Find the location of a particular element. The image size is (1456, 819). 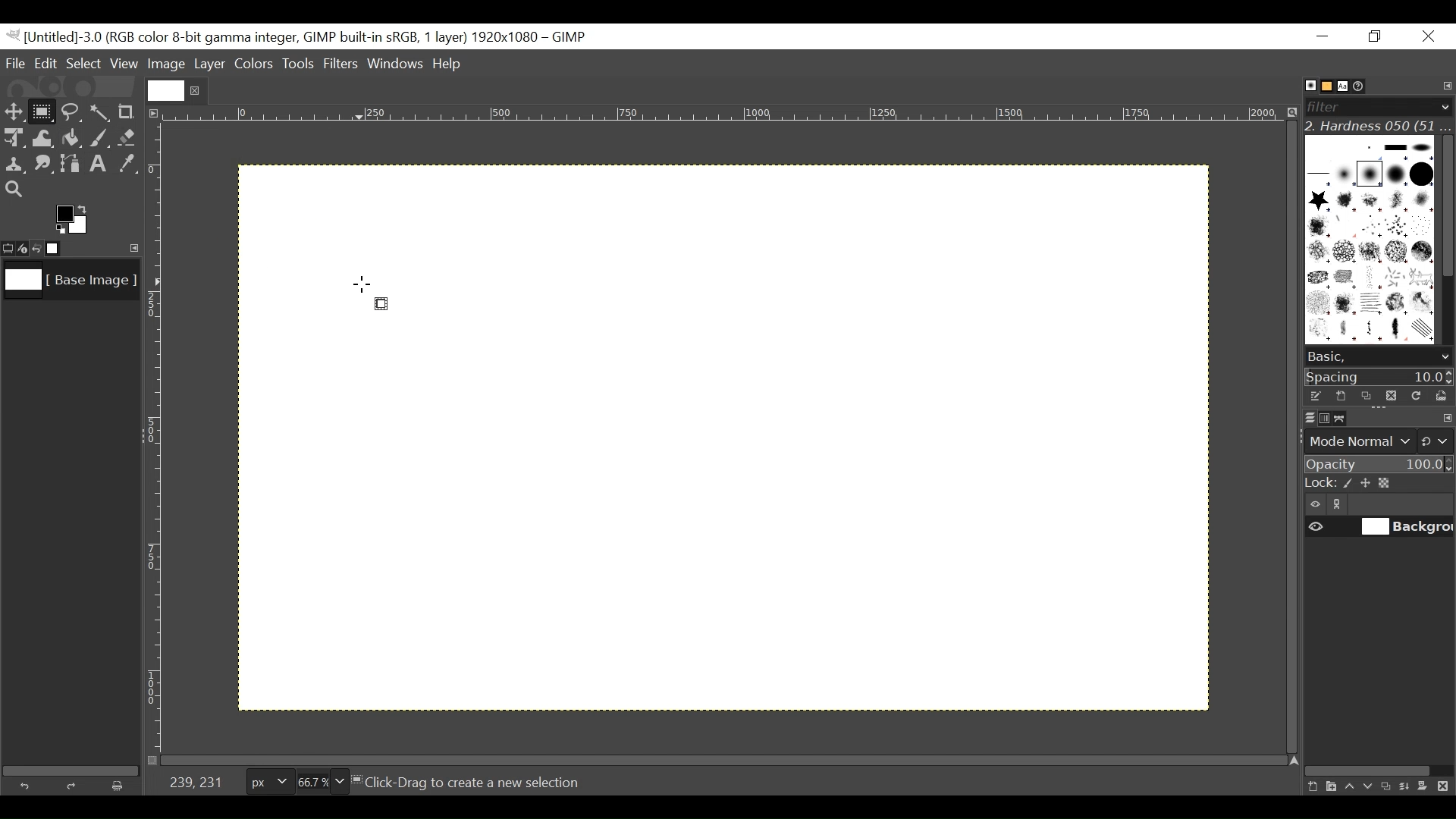

Brushes is located at coordinates (1303, 86).